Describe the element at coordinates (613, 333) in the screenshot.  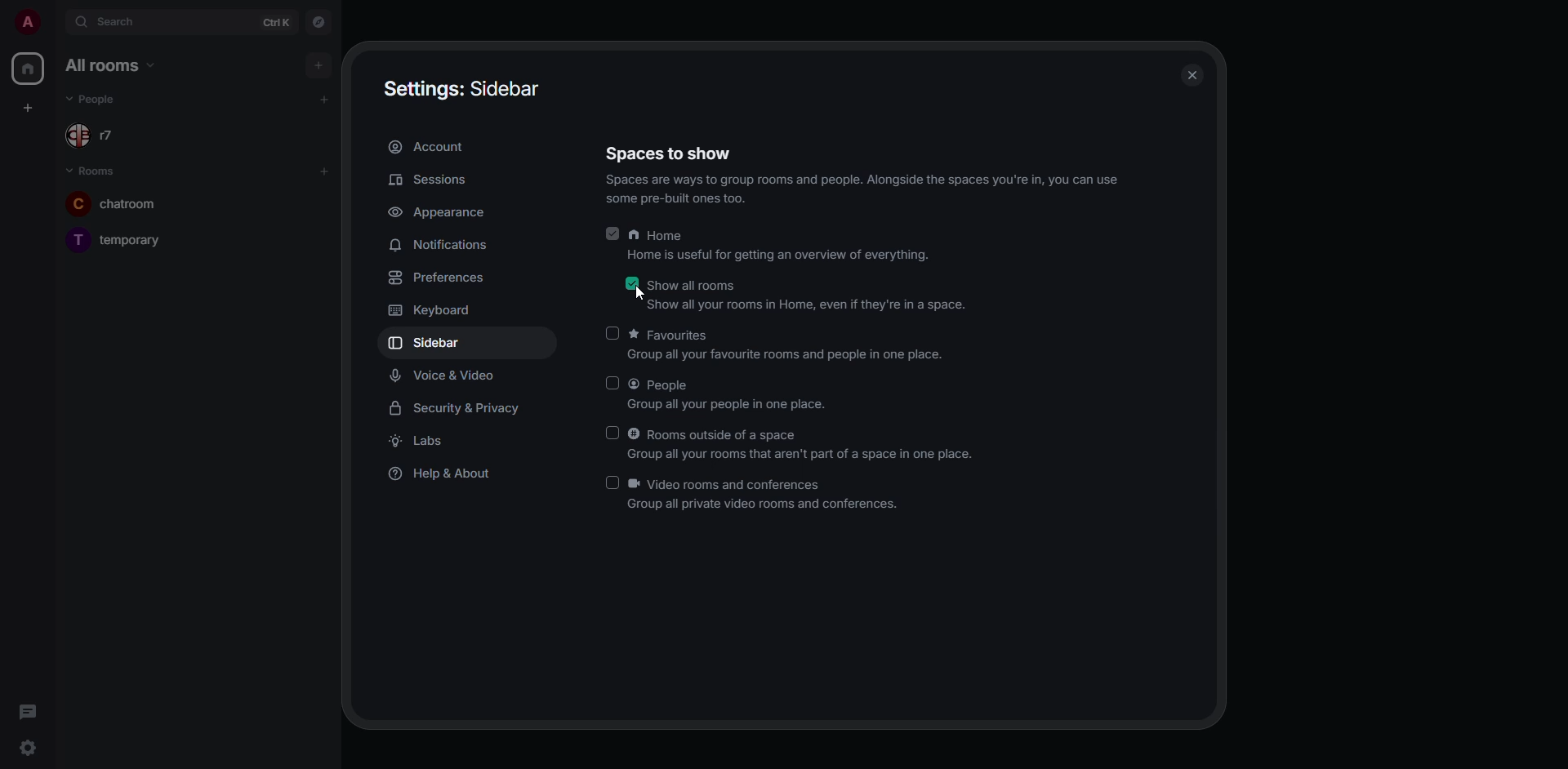
I see `click to enable` at that location.